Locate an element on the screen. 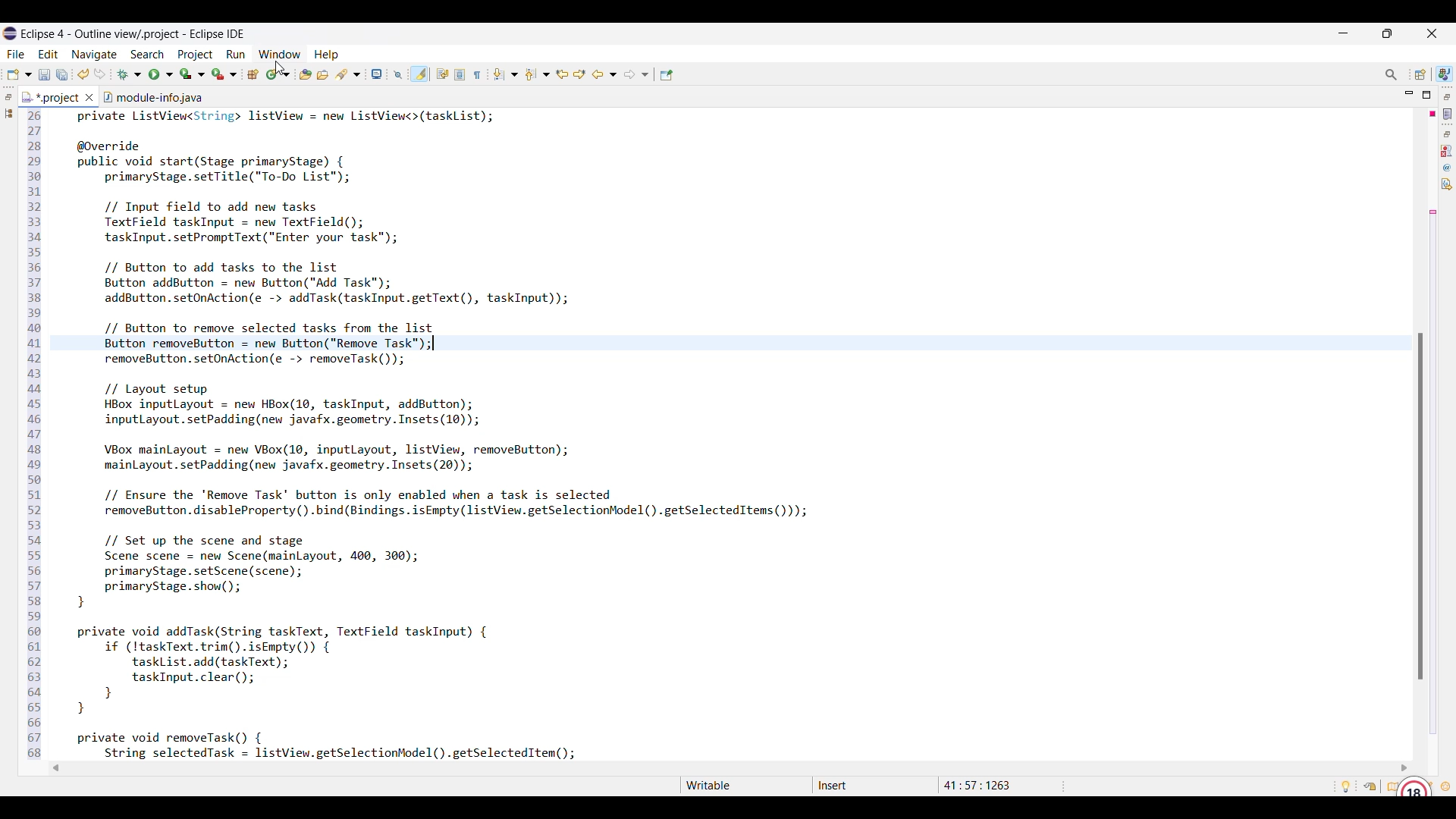 The image size is (1456, 819). Redo is located at coordinates (100, 74).